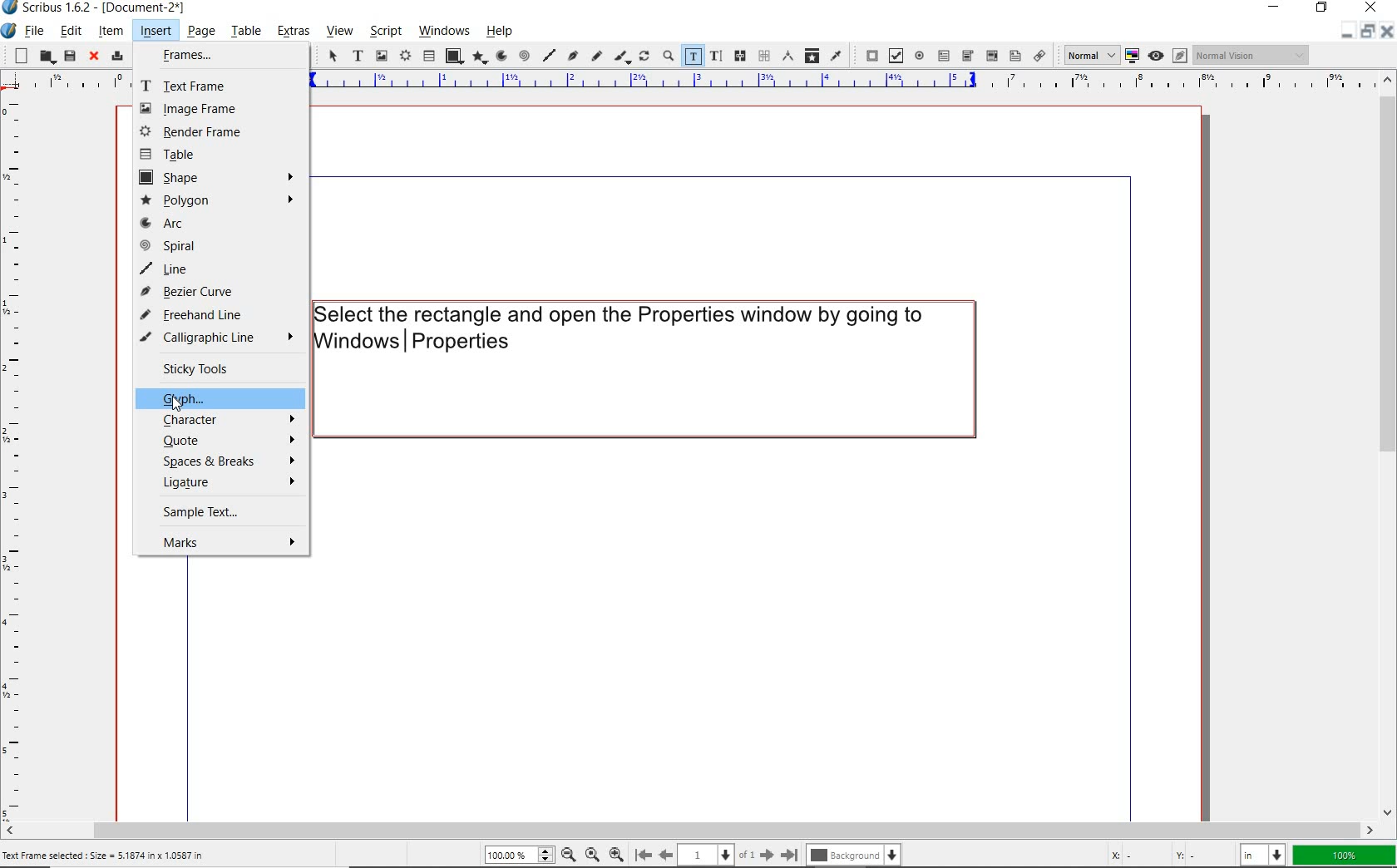  Describe the element at coordinates (568, 854) in the screenshot. I see `zoom out` at that location.